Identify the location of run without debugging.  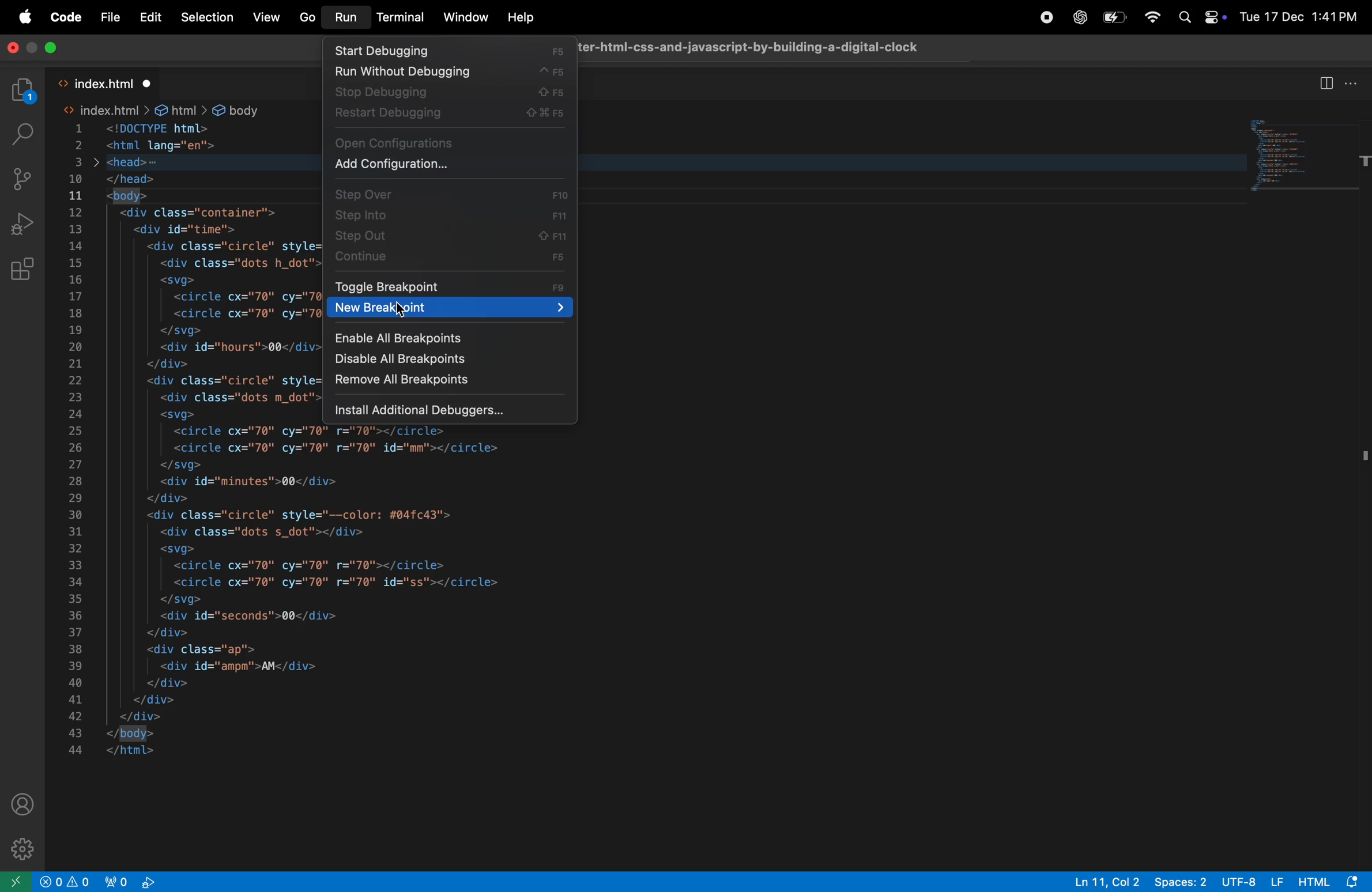
(446, 73).